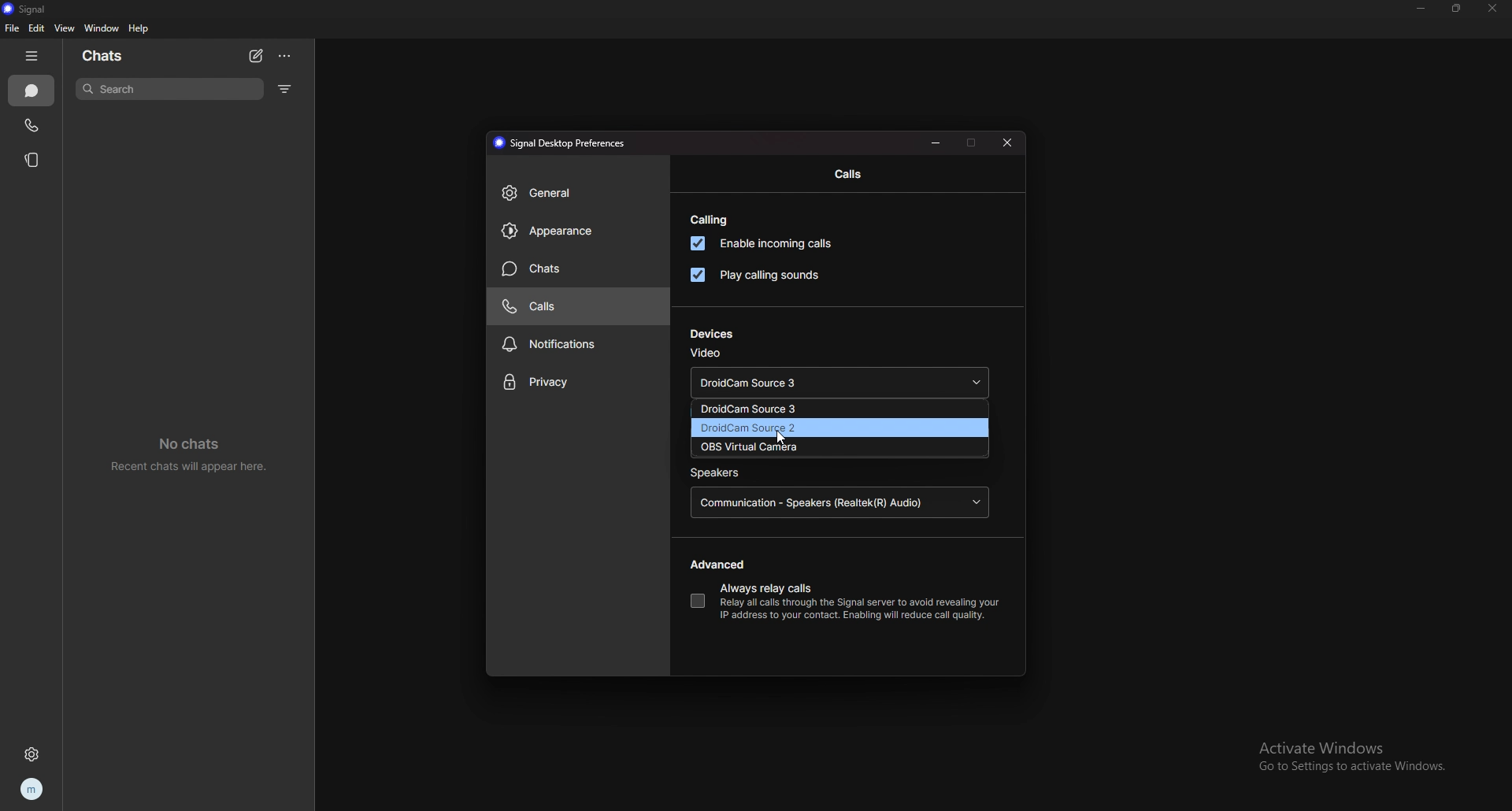  What do you see at coordinates (580, 343) in the screenshot?
I see `notifications` at bounding box center [580, 343].